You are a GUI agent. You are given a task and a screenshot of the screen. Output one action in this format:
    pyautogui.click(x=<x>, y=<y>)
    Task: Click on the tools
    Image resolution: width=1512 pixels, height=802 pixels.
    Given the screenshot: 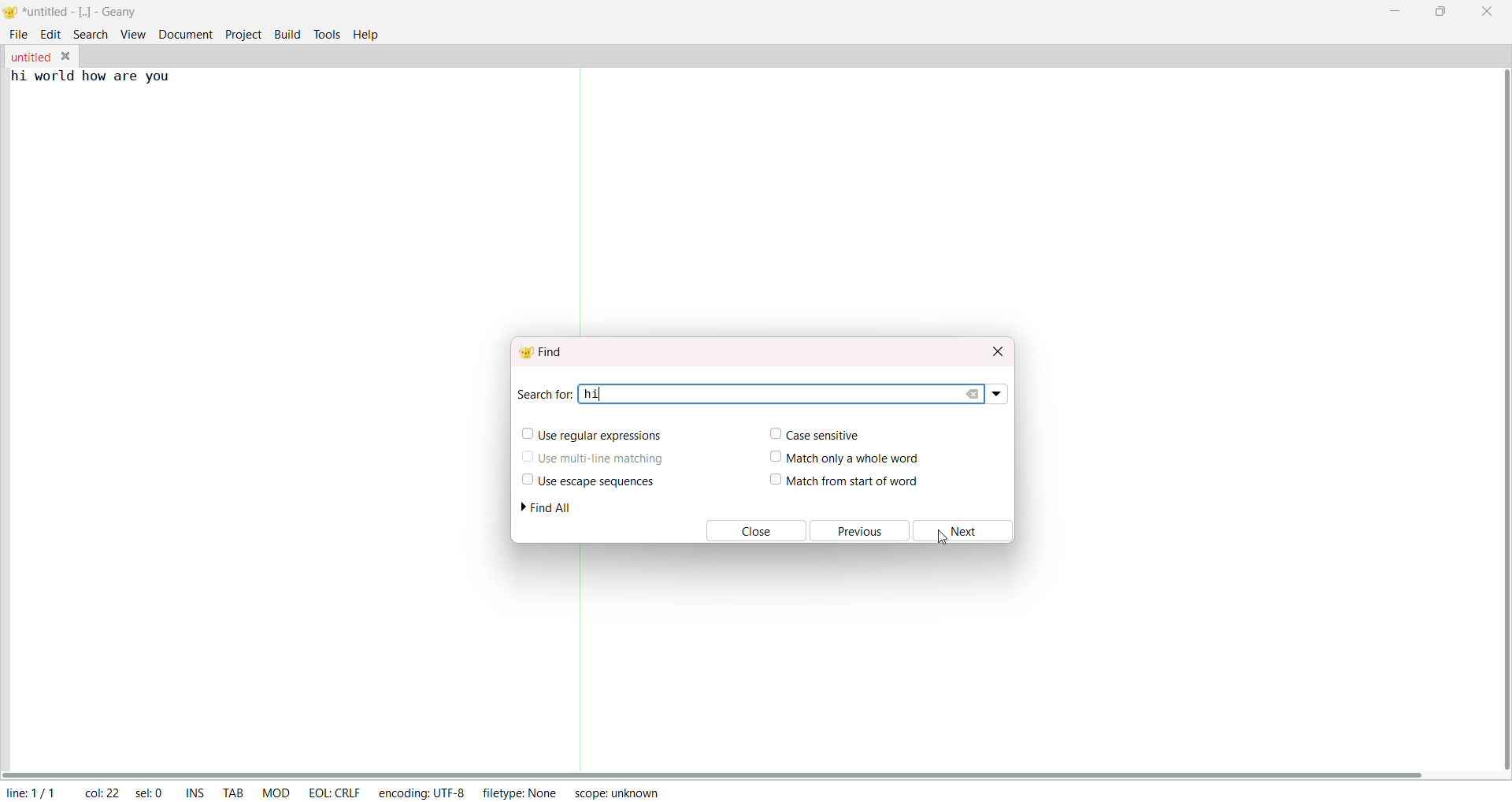 What is the action you would take?
    pyautogui.click(x=327, y=34)
    